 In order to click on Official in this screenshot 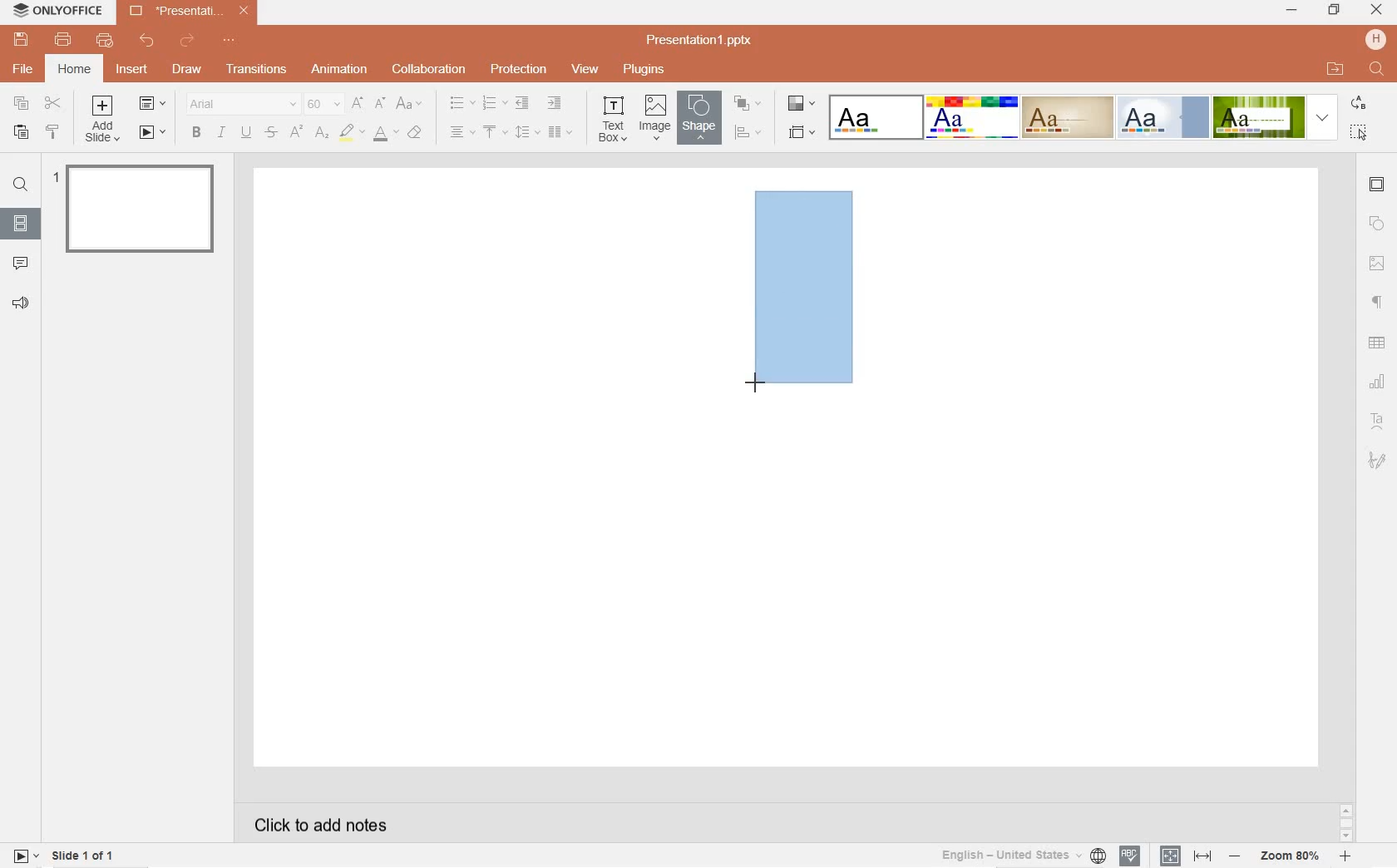, I will do `click(1163, 117)`.